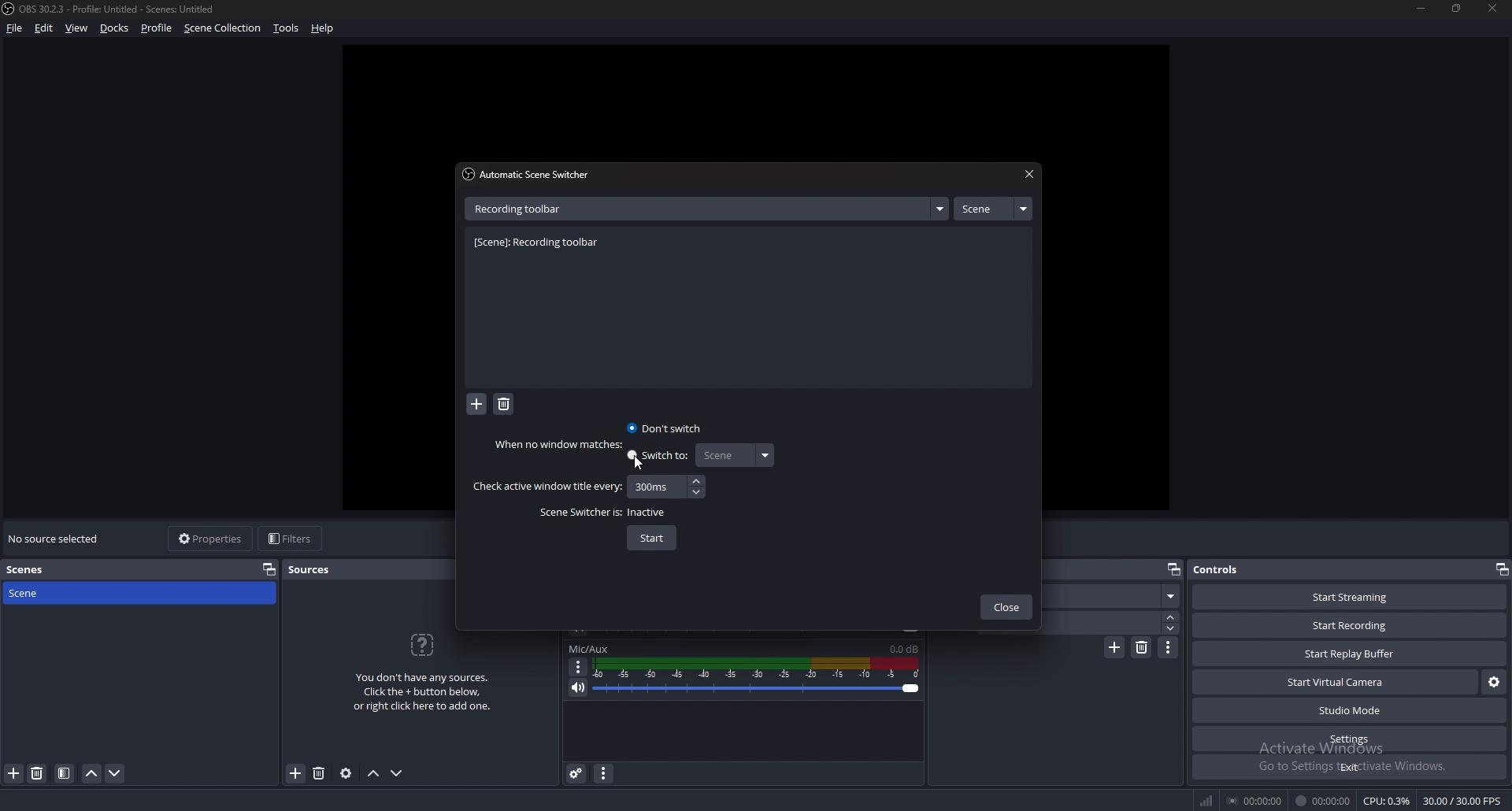  I want to click on audio mixer menu, so click(603, 772).